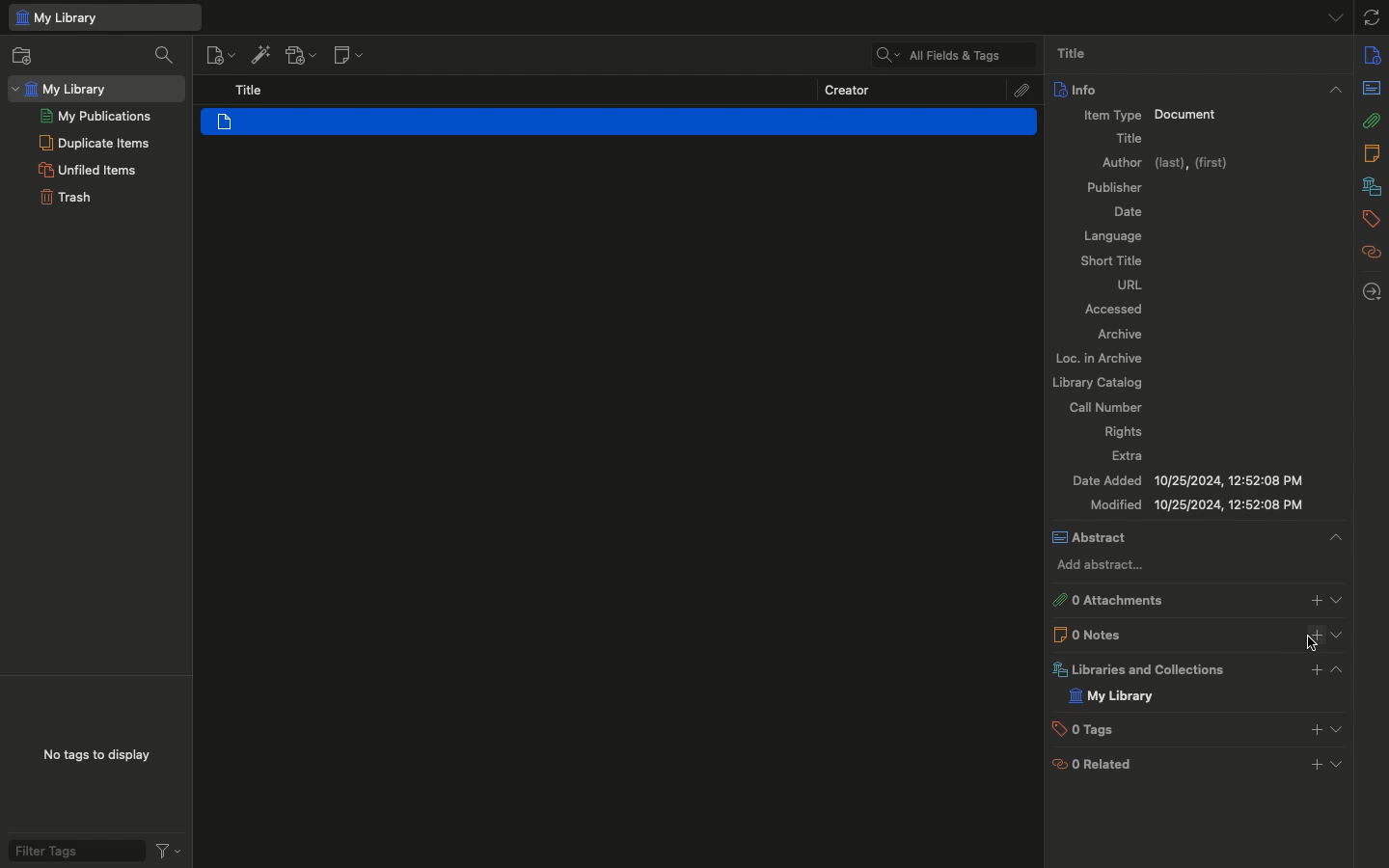 Image resolution: width=1389 pixels, height=868 pixels. What do you see at coordinates (1373, 121) in the screenshot?
I see `Attachments` at bounding box center [1373, 121].